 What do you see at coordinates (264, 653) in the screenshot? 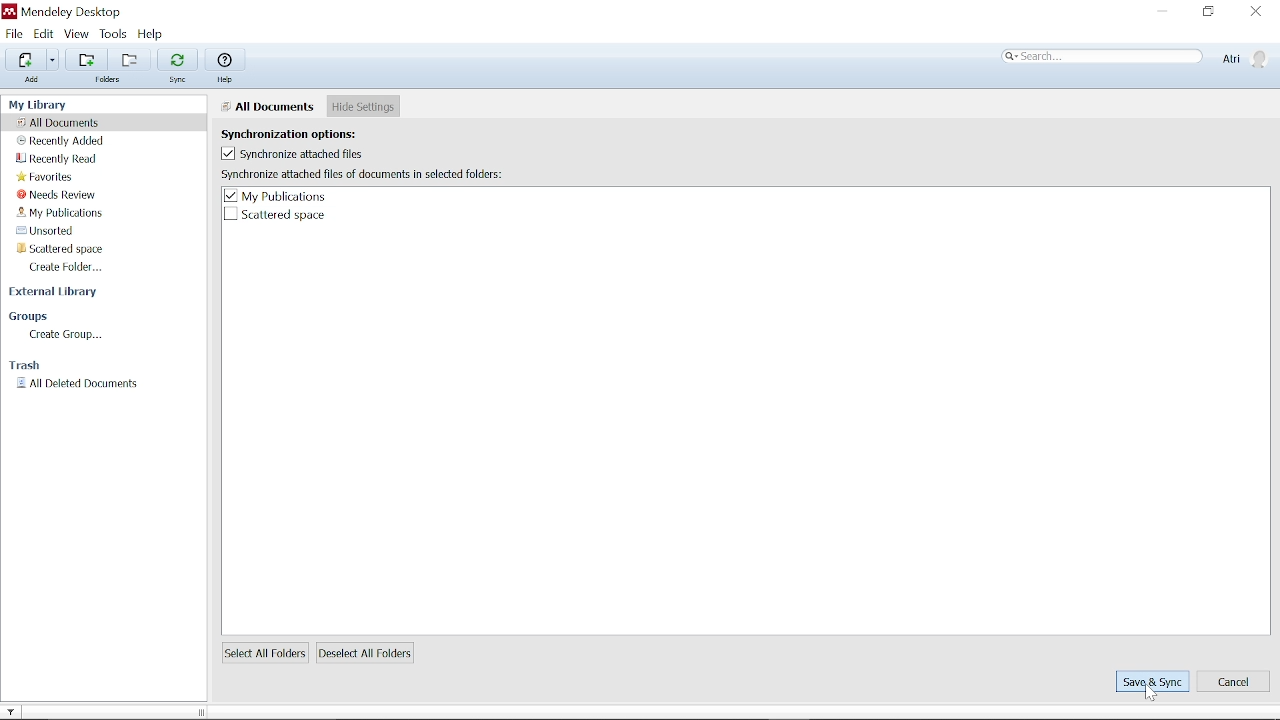
I see `Select all folders` at bounding box center [264, 653].